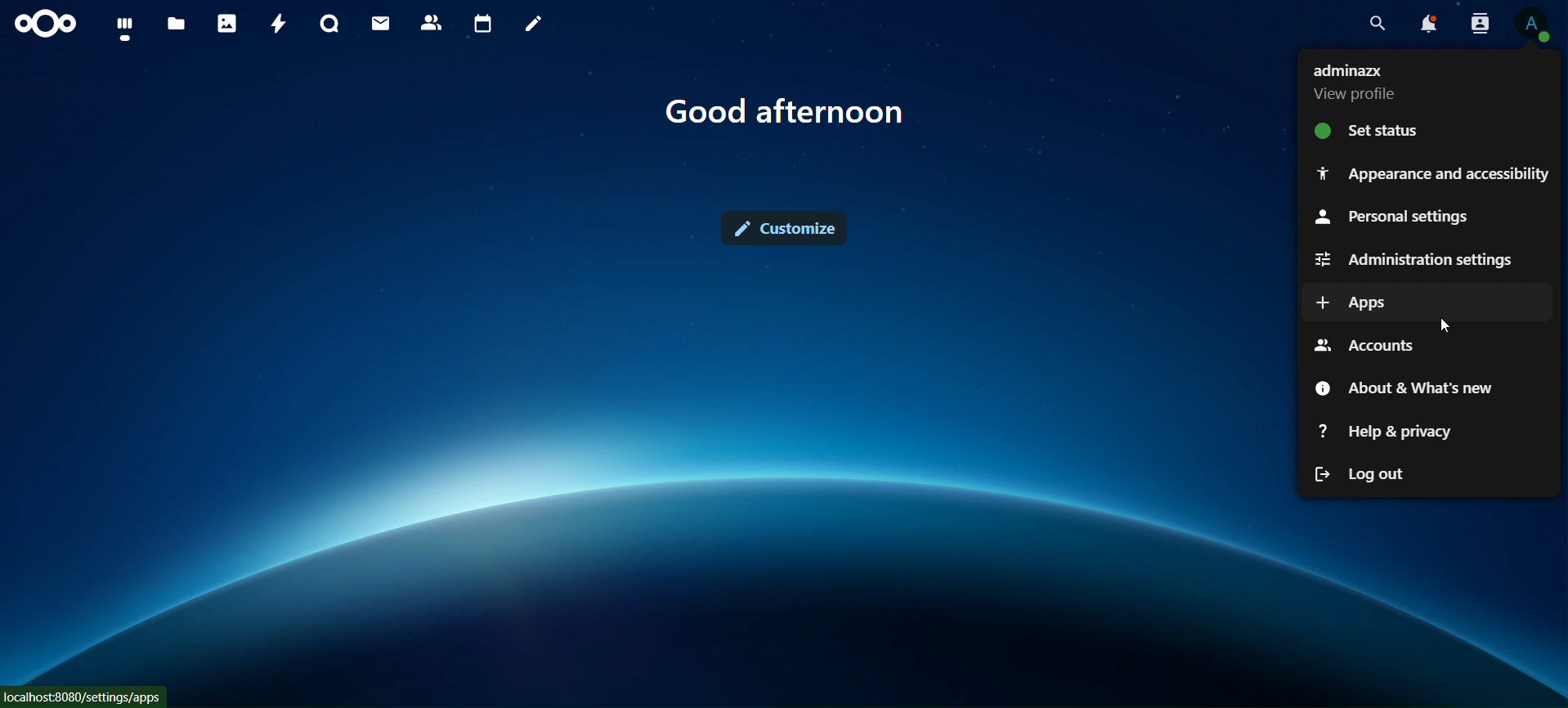  Describe the element at coordinates (1481, 22) in the screenshot. I see `search profile` at that location.